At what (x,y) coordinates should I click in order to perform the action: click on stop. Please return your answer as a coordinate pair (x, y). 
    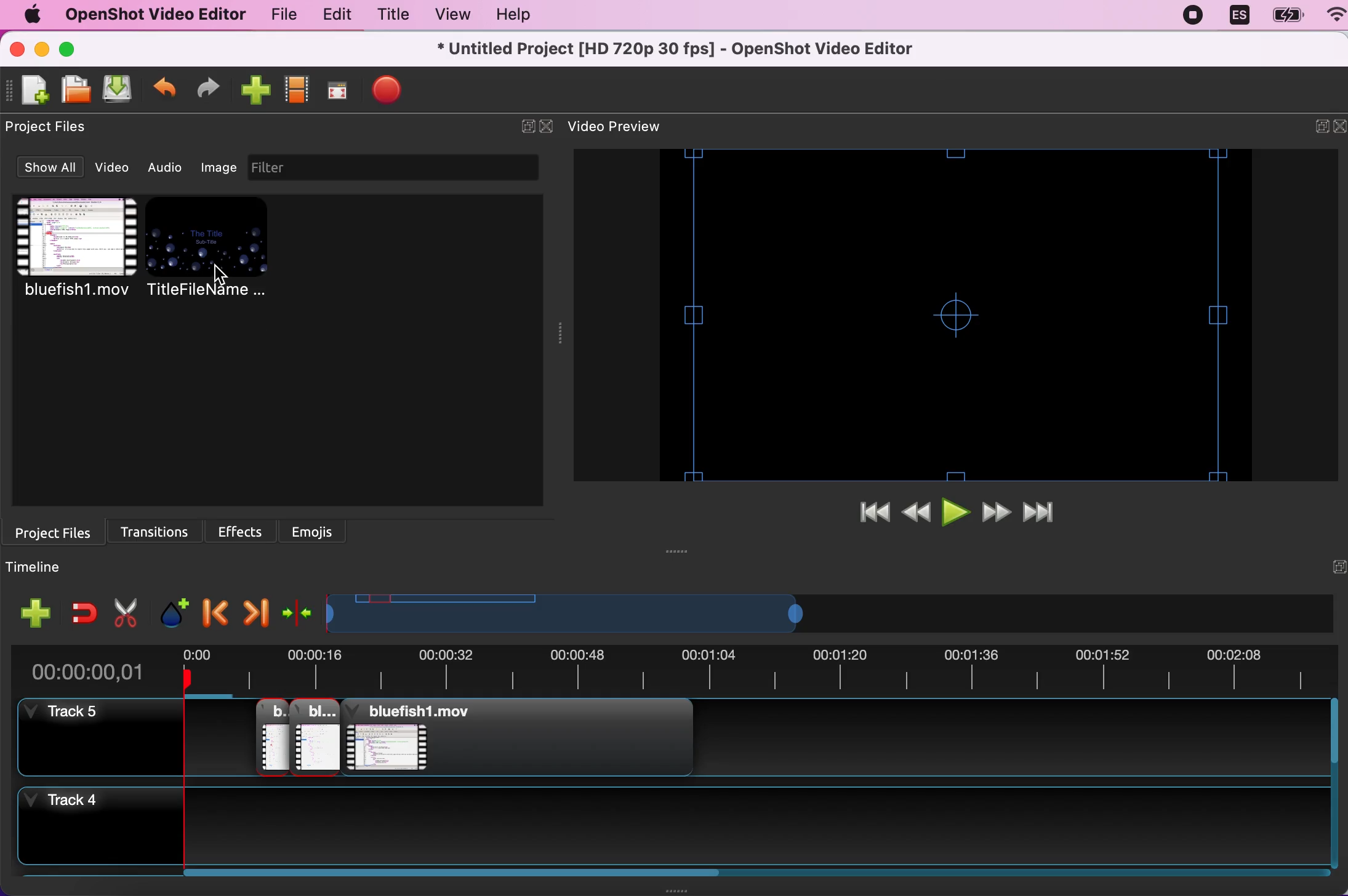
    Looking at the image, I should click on (387, 89).